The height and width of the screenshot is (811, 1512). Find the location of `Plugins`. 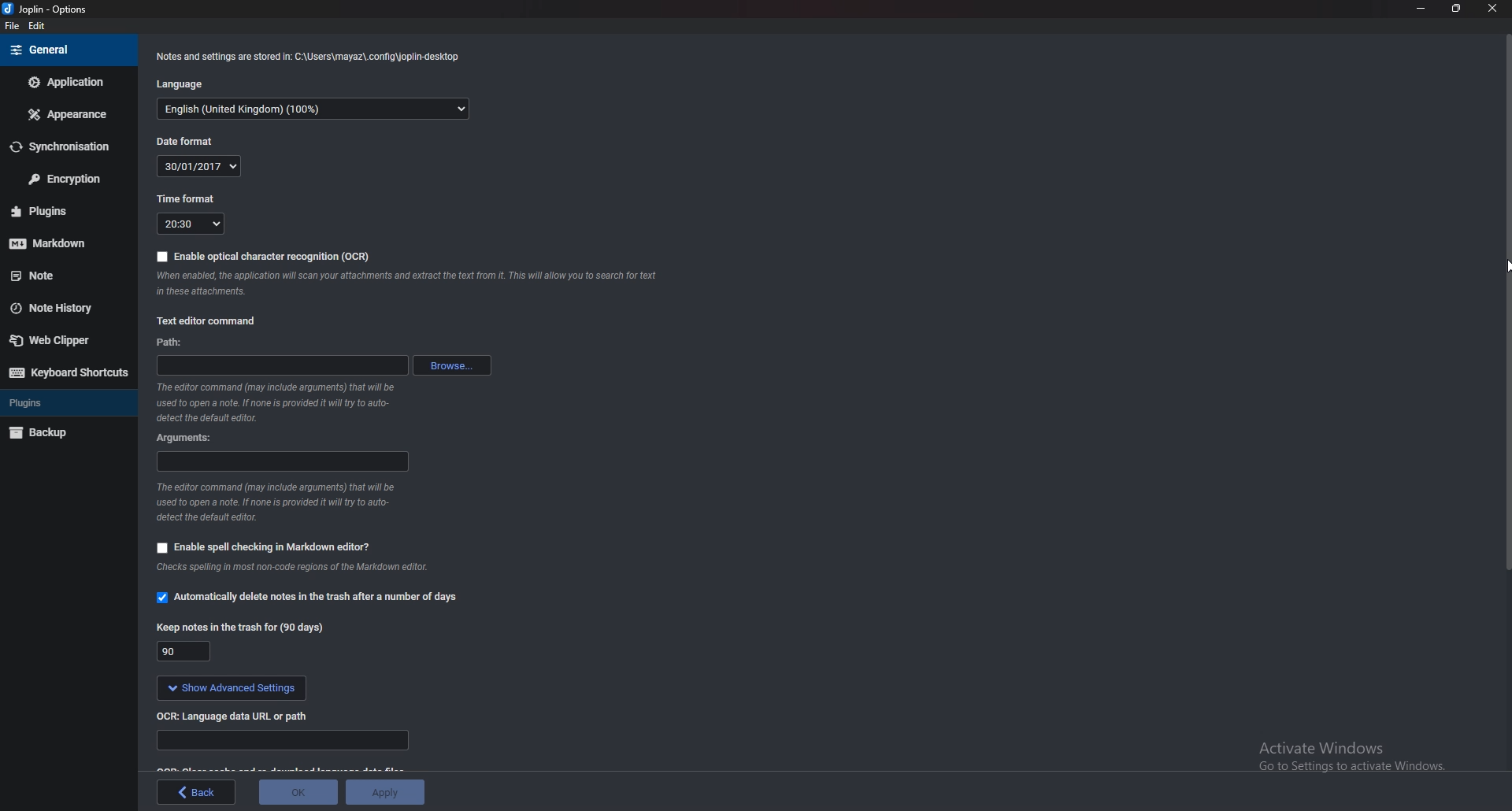

Plugins is located at coordinates (55, 212).